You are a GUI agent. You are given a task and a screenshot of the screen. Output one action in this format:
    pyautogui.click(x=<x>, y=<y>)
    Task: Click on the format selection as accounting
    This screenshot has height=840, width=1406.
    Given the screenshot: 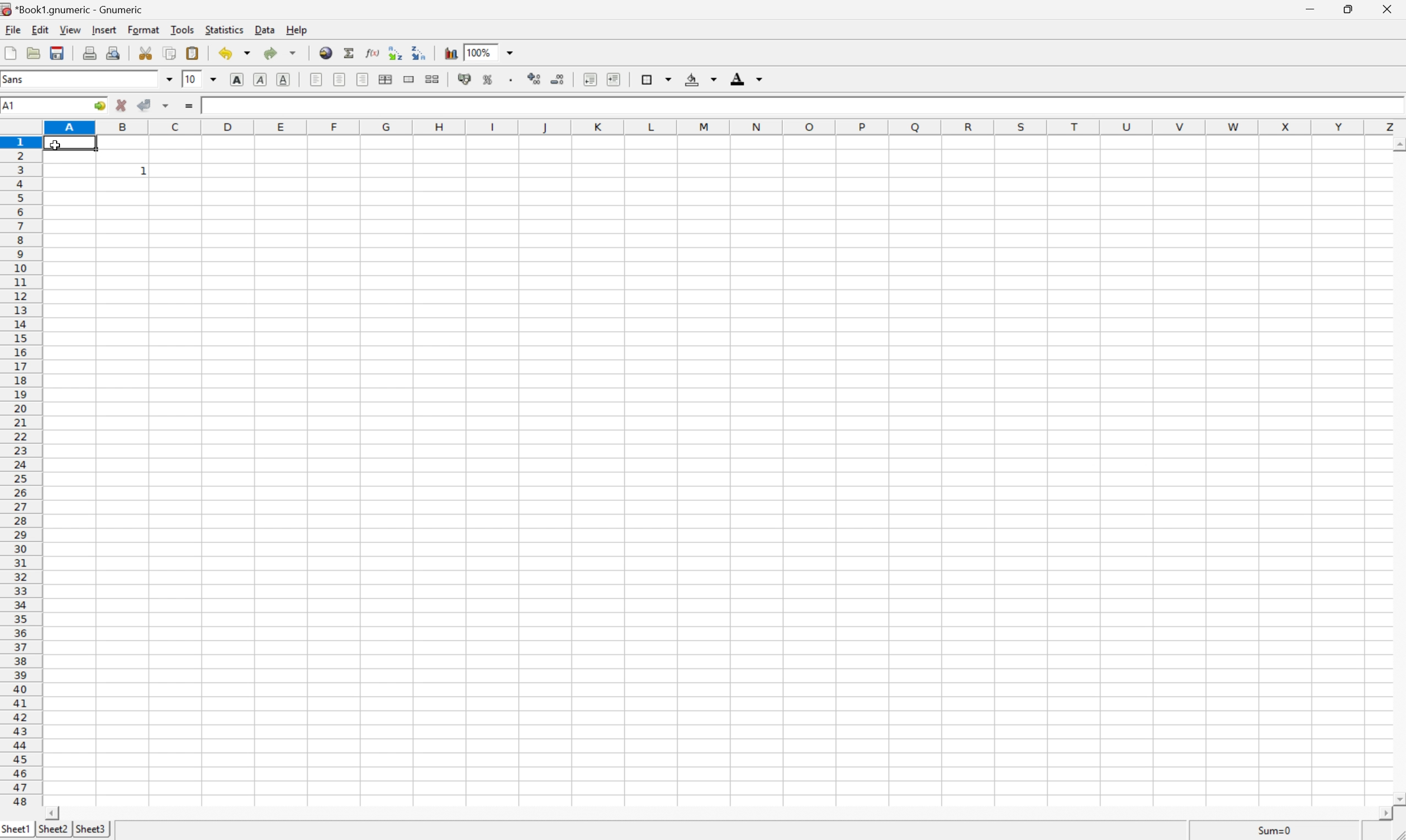 What is the action you would take?
    pyautogui.click(x=467, y=78)
    